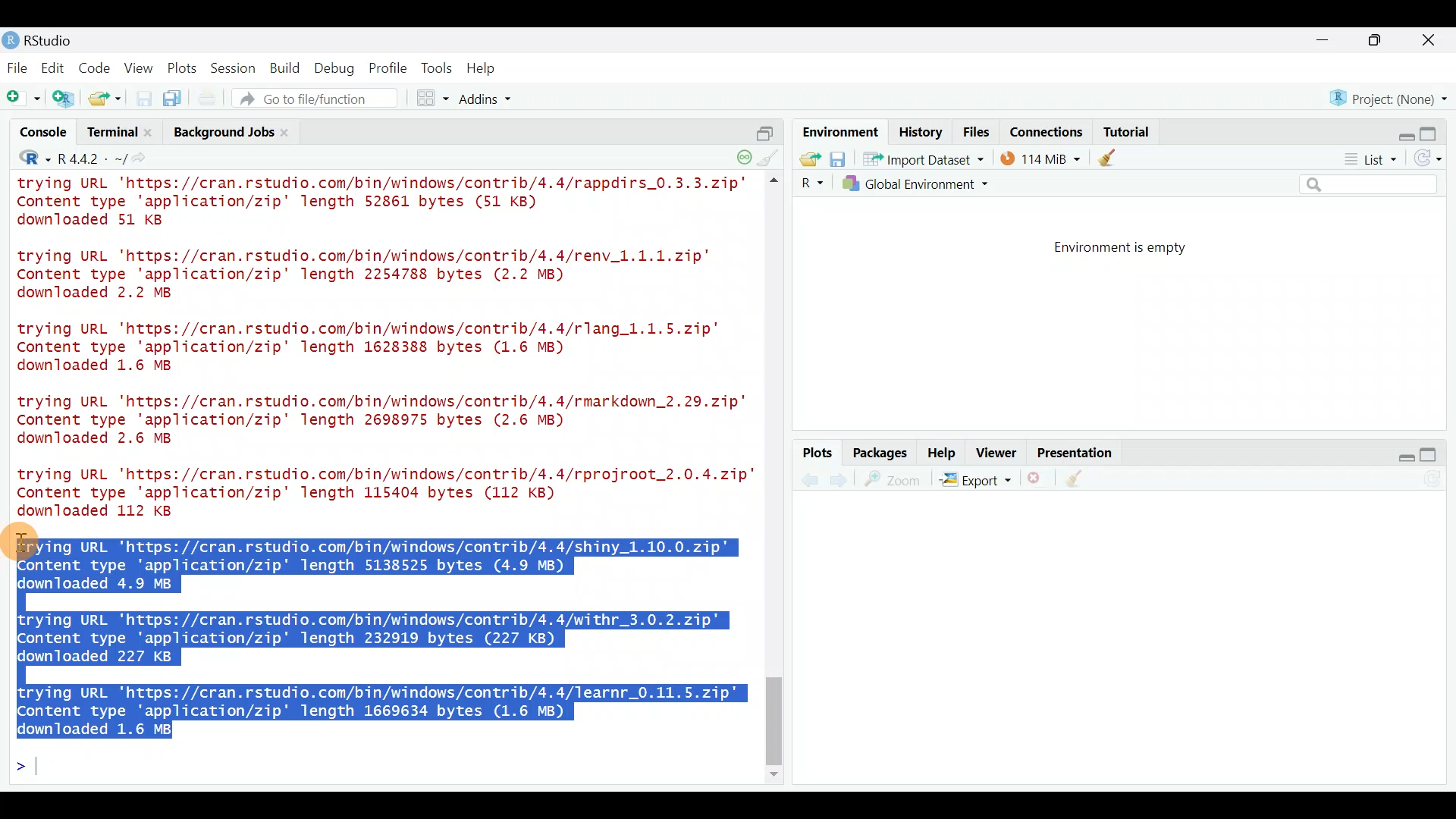 The height and width of the screenshot is (819, 1456). What do you see at coordinates (111, 134) in the screenshot?
I see `Terminal` at bounding box center [111, 134].